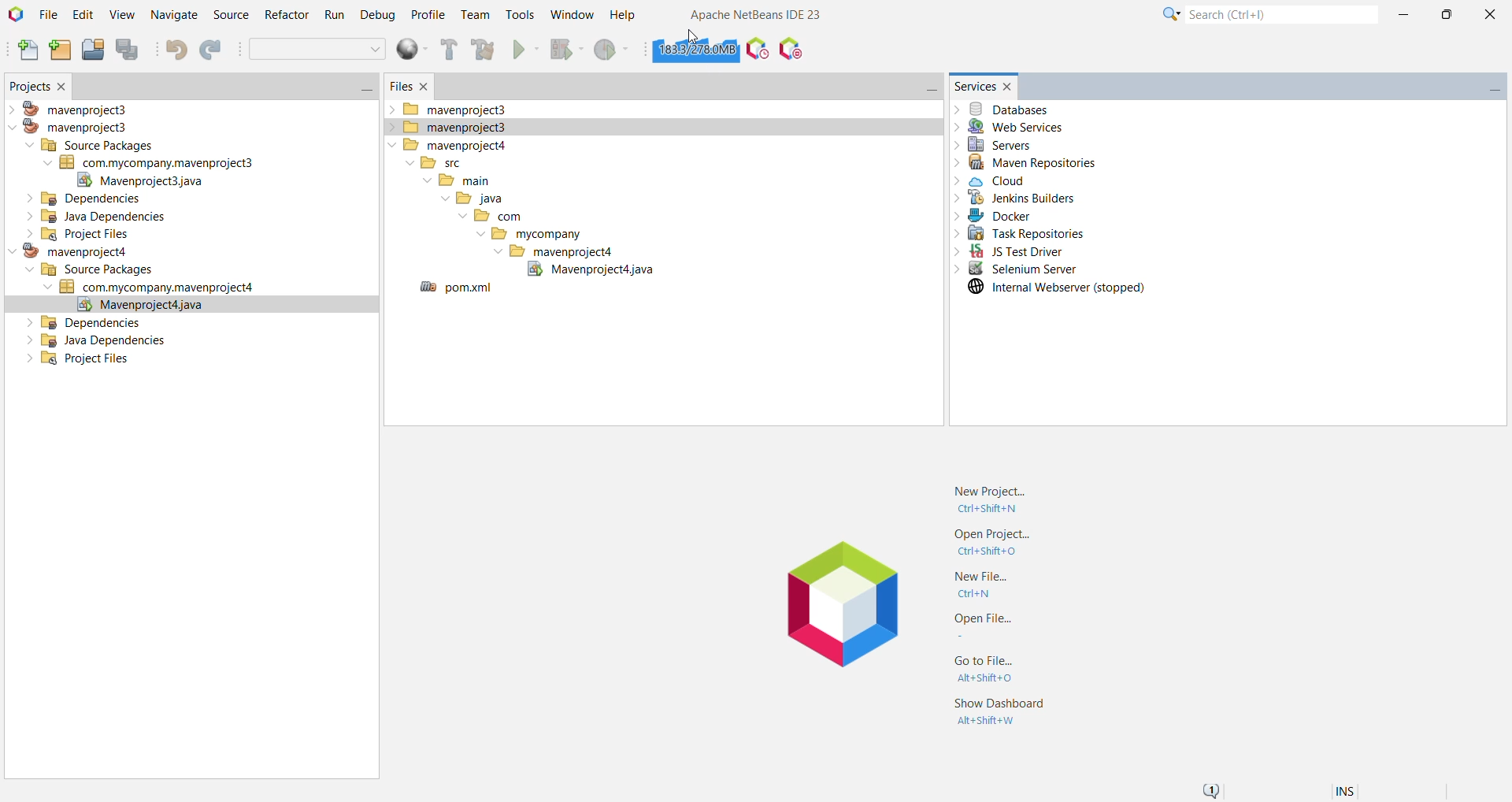 The height and width of the screenshot is (802, 1512). I want to click on Dependencies, so click(85, 321).